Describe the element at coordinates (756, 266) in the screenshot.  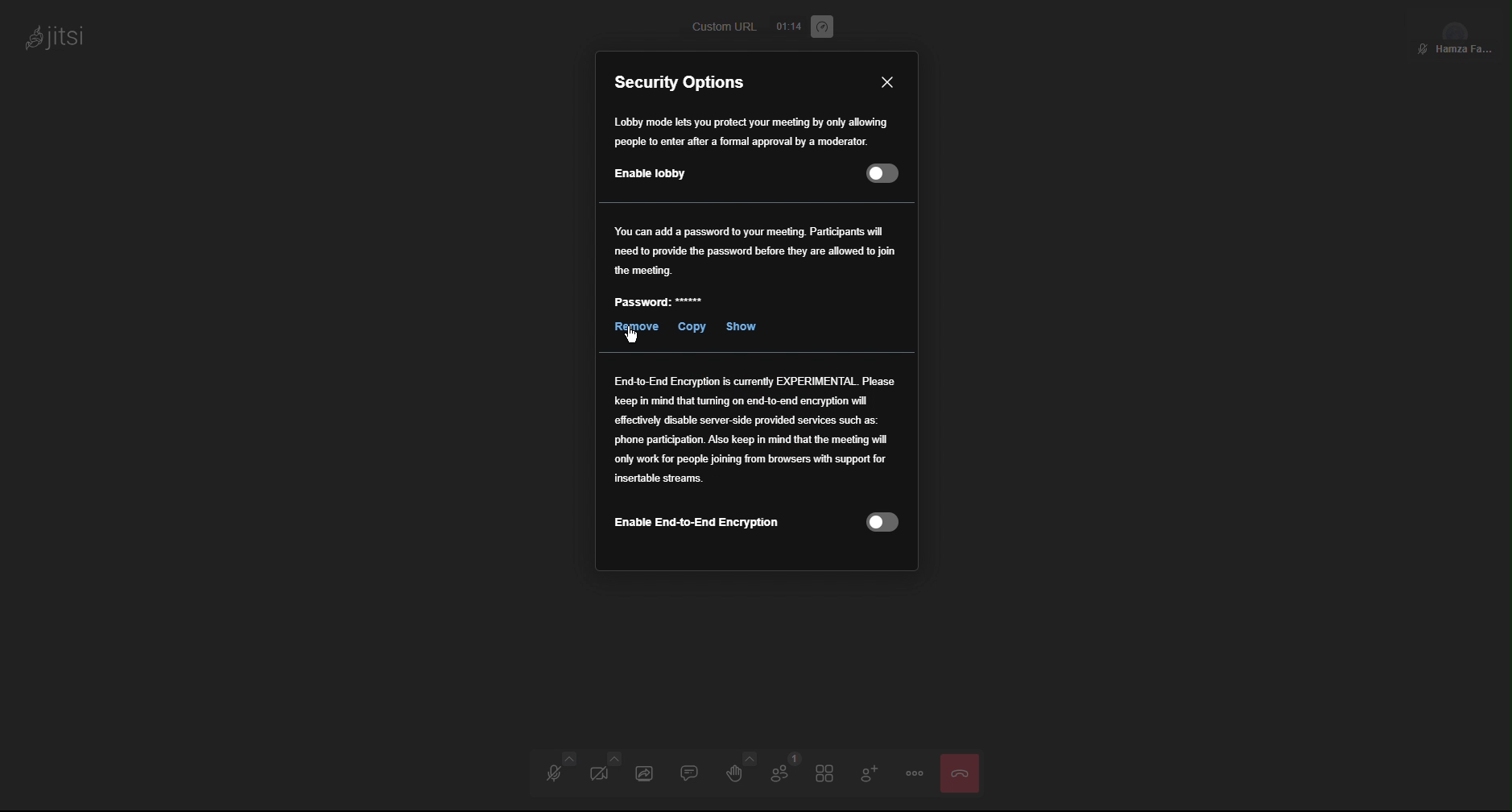
I see `Password` at that location.